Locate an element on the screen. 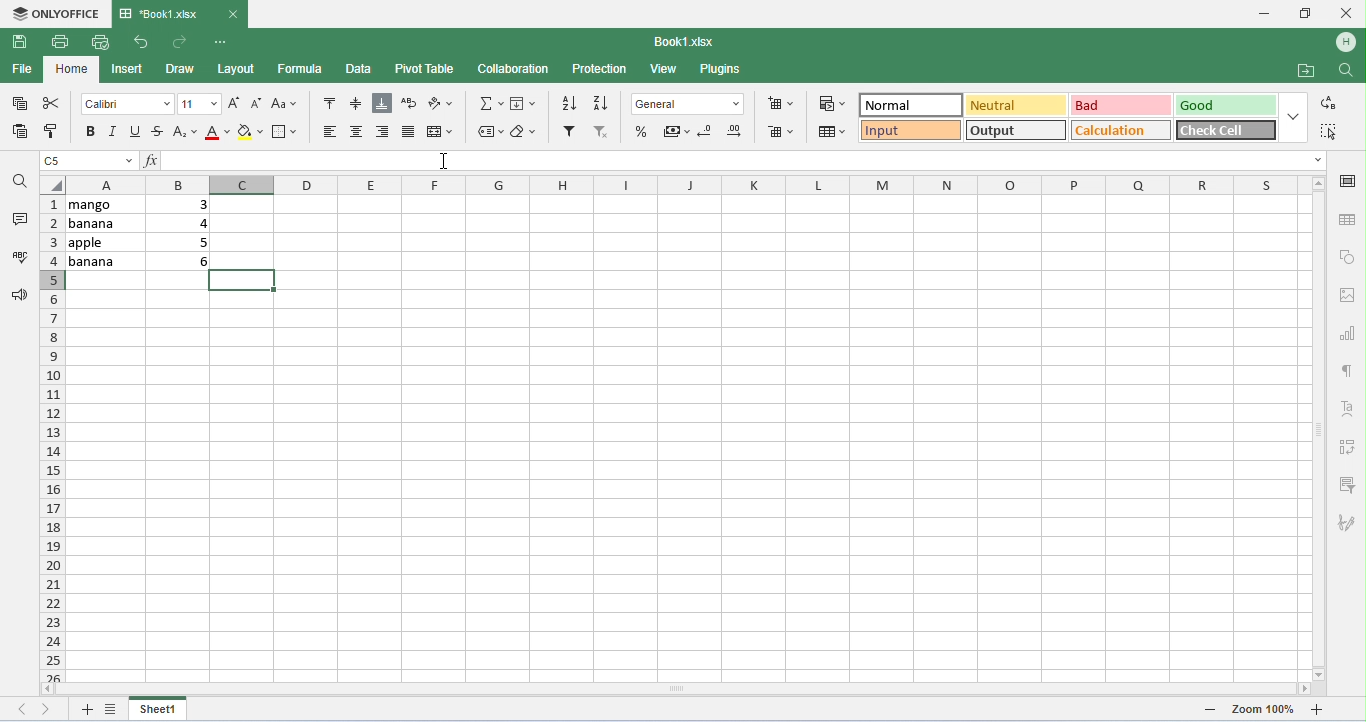 Image resolution: width=1366 pixels, height=722 pixels. horizontal scroll bar is located at coordinates (674, 688).